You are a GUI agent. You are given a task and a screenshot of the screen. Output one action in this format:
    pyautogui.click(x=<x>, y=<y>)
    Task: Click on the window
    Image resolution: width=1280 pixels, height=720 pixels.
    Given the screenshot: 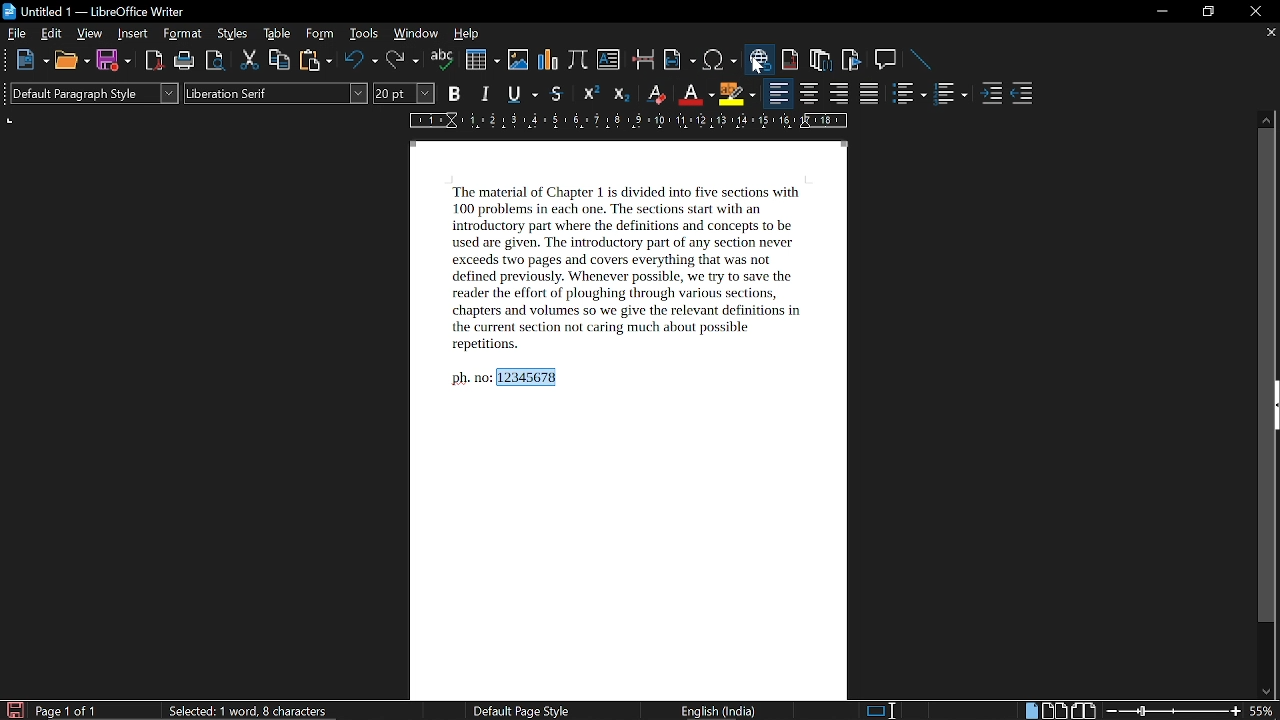 What is the action you would take?
    pyautogui.click(x=415, y=35)
    